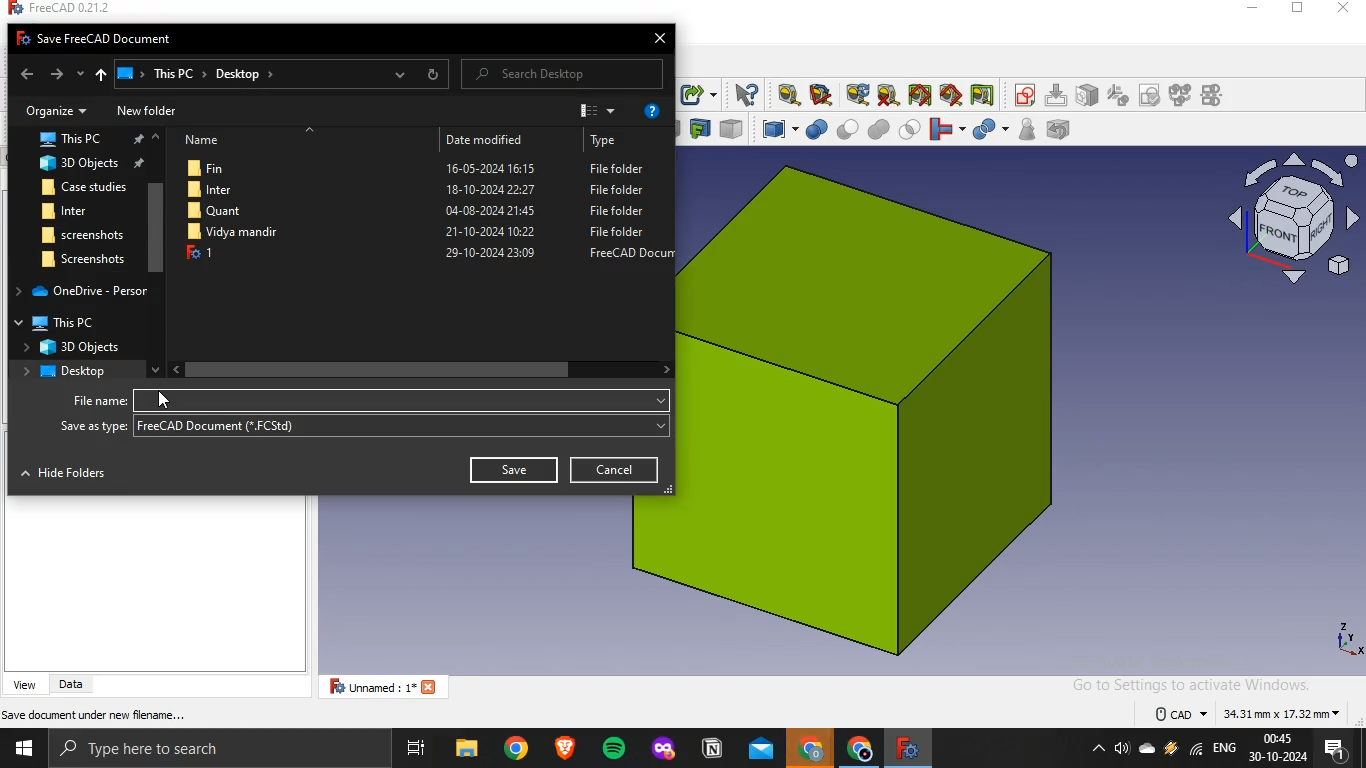 The height and width of the screenshot is (768, 1366). What do you see at coordinates (51, 110) in the screenshot?
I see `Organize` at bounding box center [51, 110].